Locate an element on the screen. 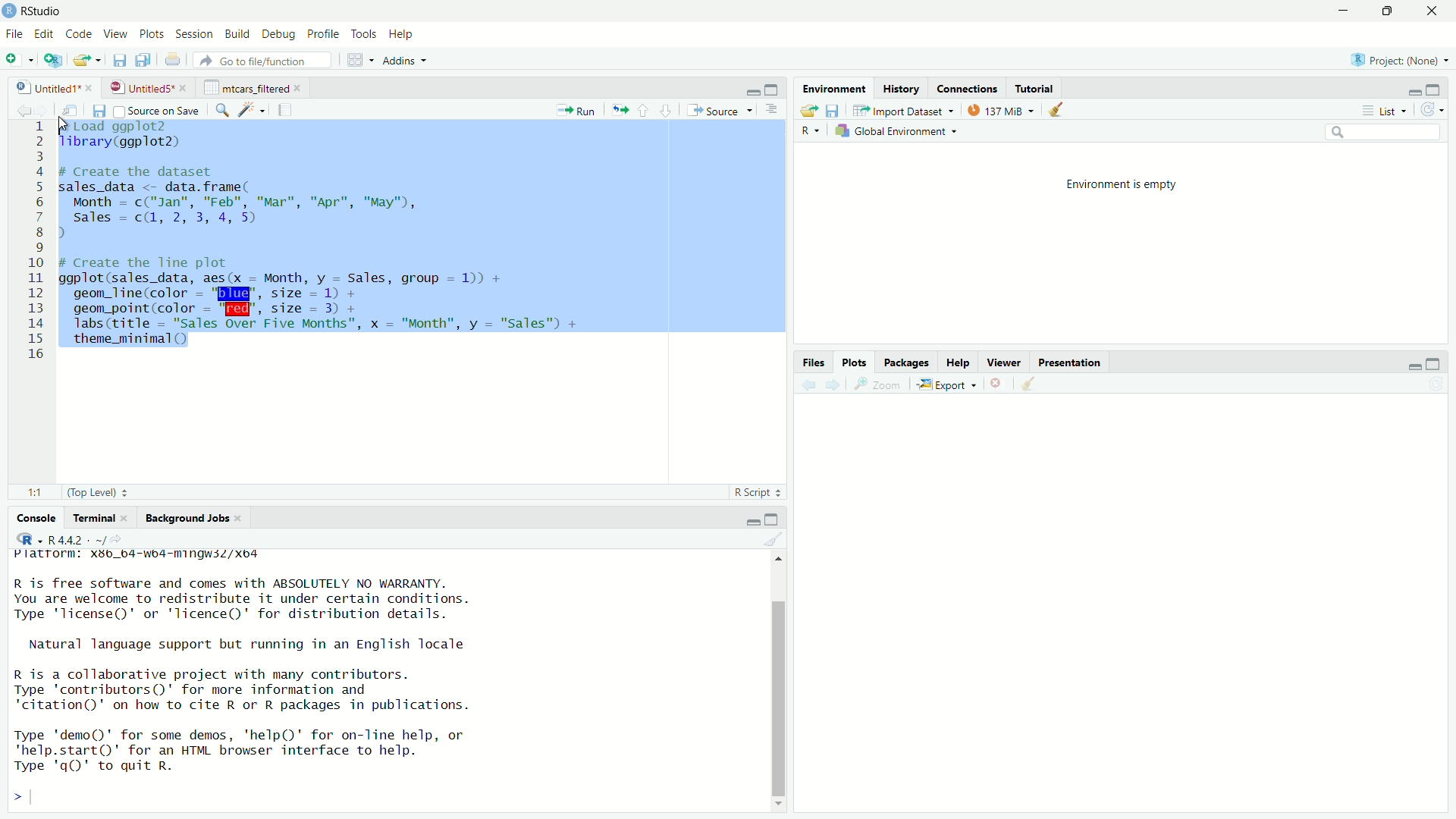 Image resolution: width=1456 pixels, height=819 pixels. untitled5 is located at coordinates (140, 88).